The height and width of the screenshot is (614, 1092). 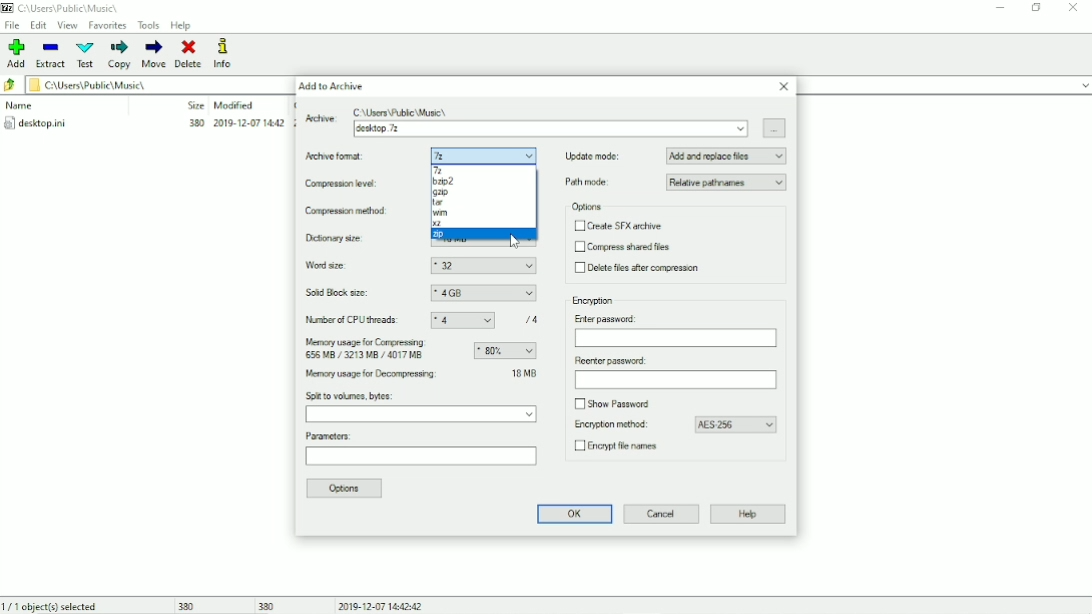 I want to click on 7z, so click(x=440, y=169).